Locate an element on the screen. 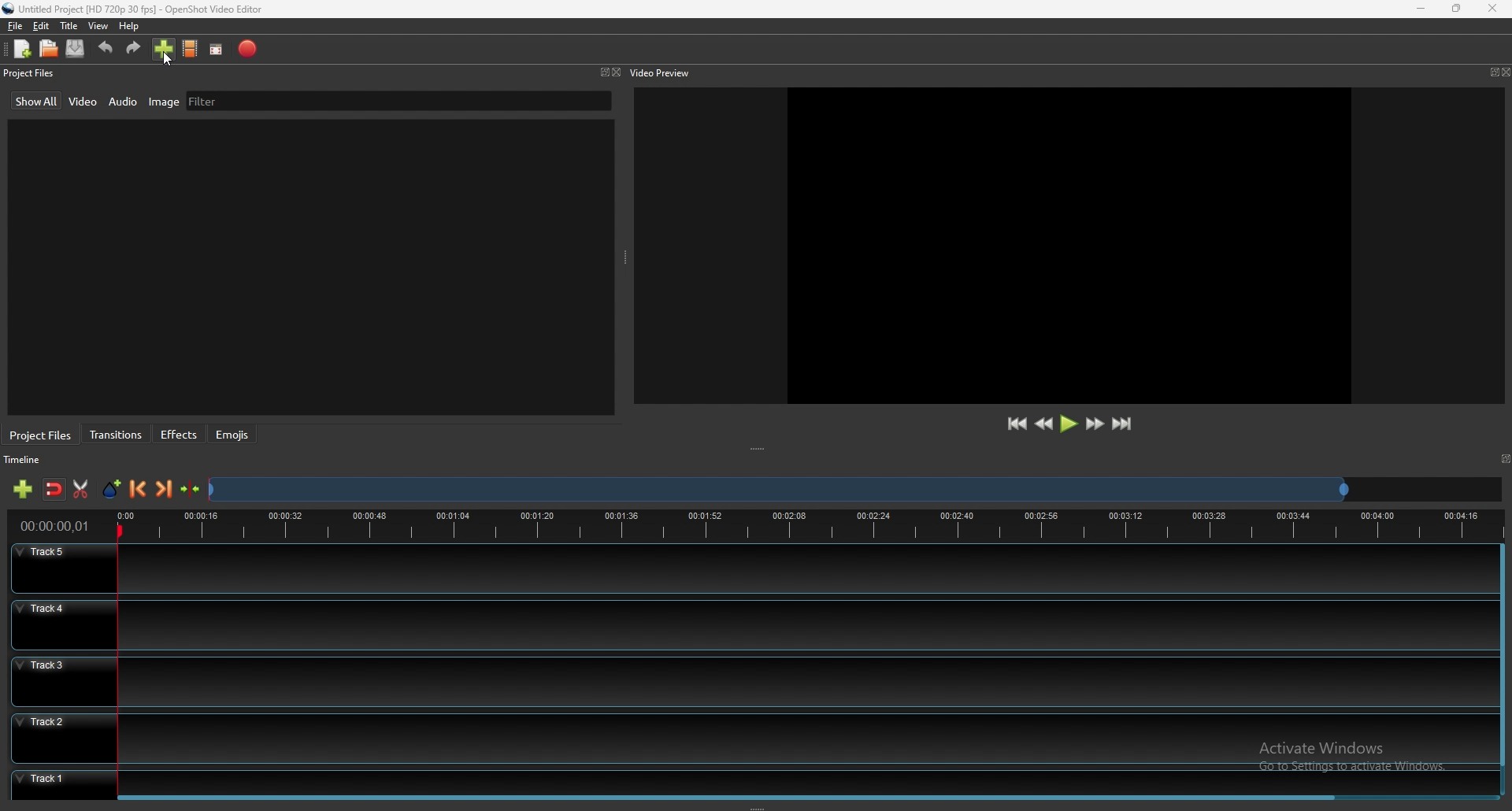  time is located at coordinates (55, 526).